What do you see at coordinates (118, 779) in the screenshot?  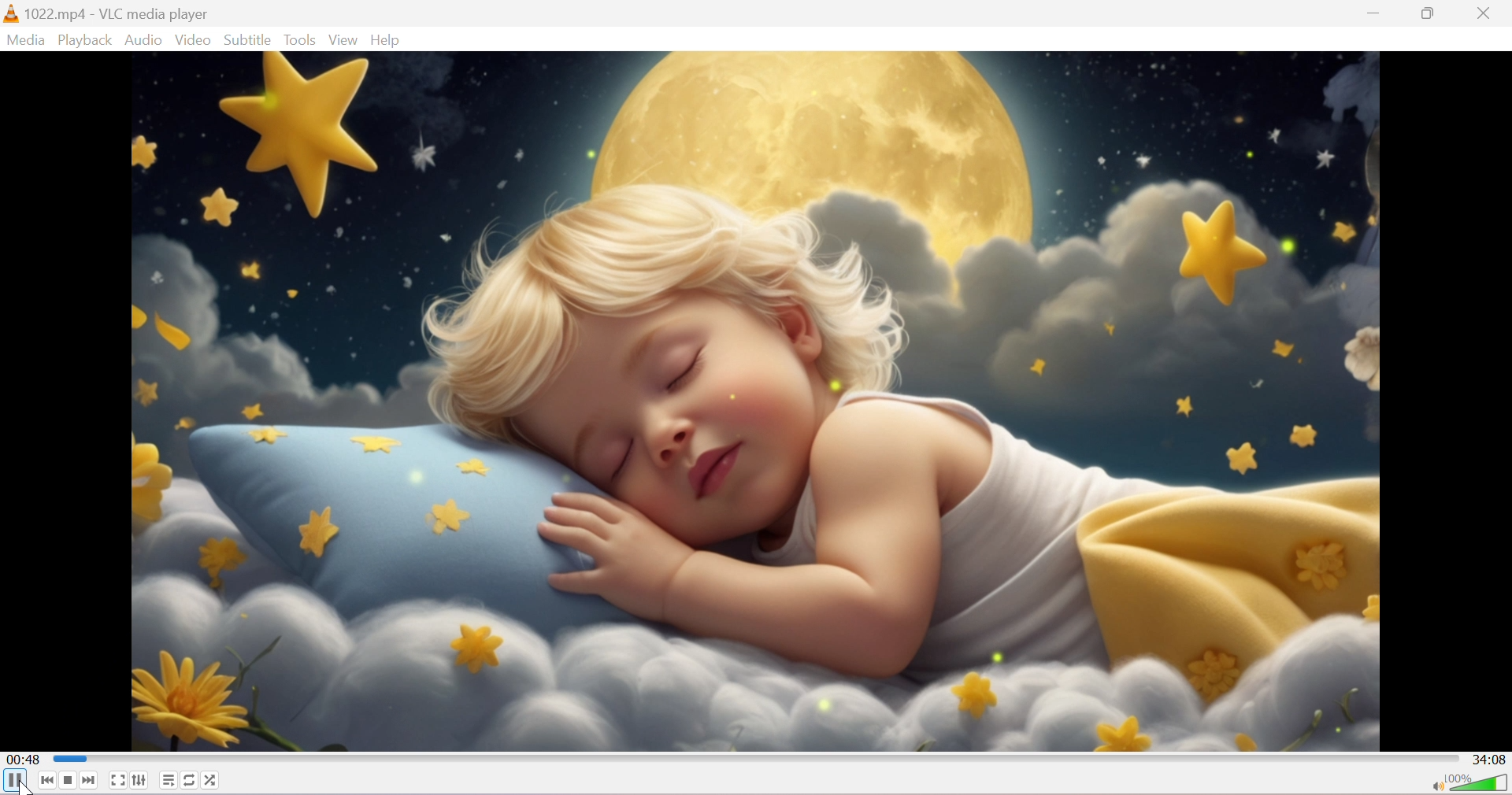 I see `Toggle the video in fullscreen` at bounding box center [118, 779].